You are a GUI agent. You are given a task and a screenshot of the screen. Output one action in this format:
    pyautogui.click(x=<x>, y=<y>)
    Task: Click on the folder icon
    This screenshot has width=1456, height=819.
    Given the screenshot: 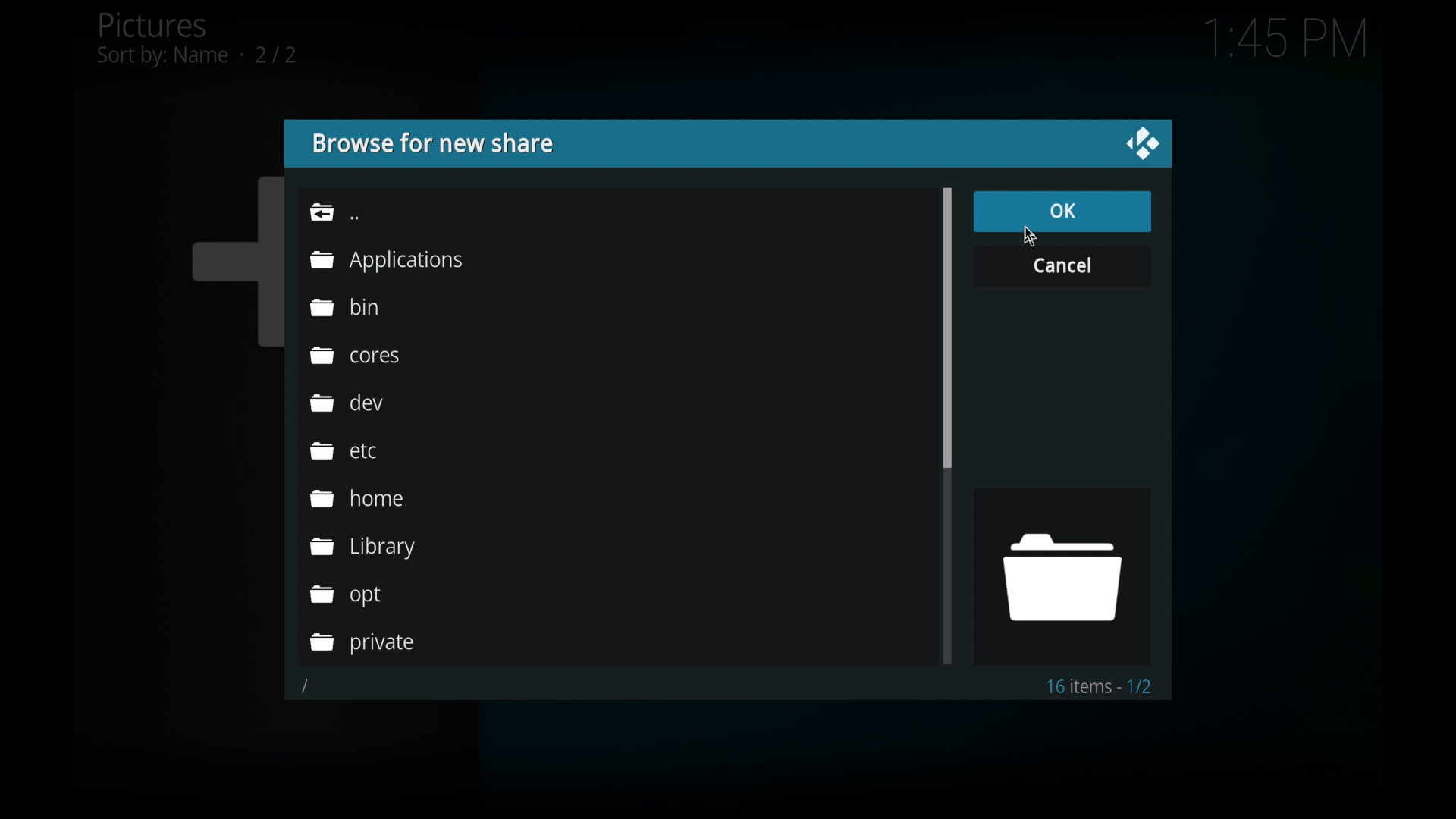 What is the action you would take?
    pyautogui.click(x=1060, y=578)
    